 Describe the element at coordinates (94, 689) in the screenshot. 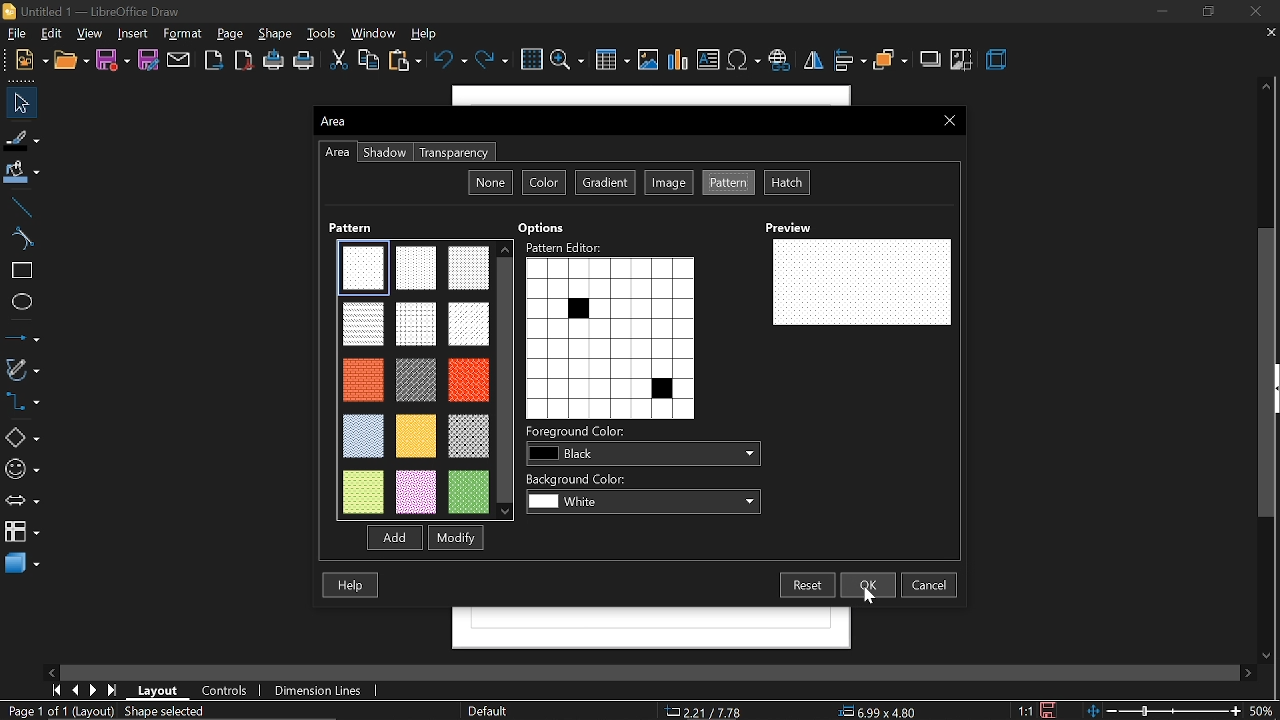

I see `next page` at that location.